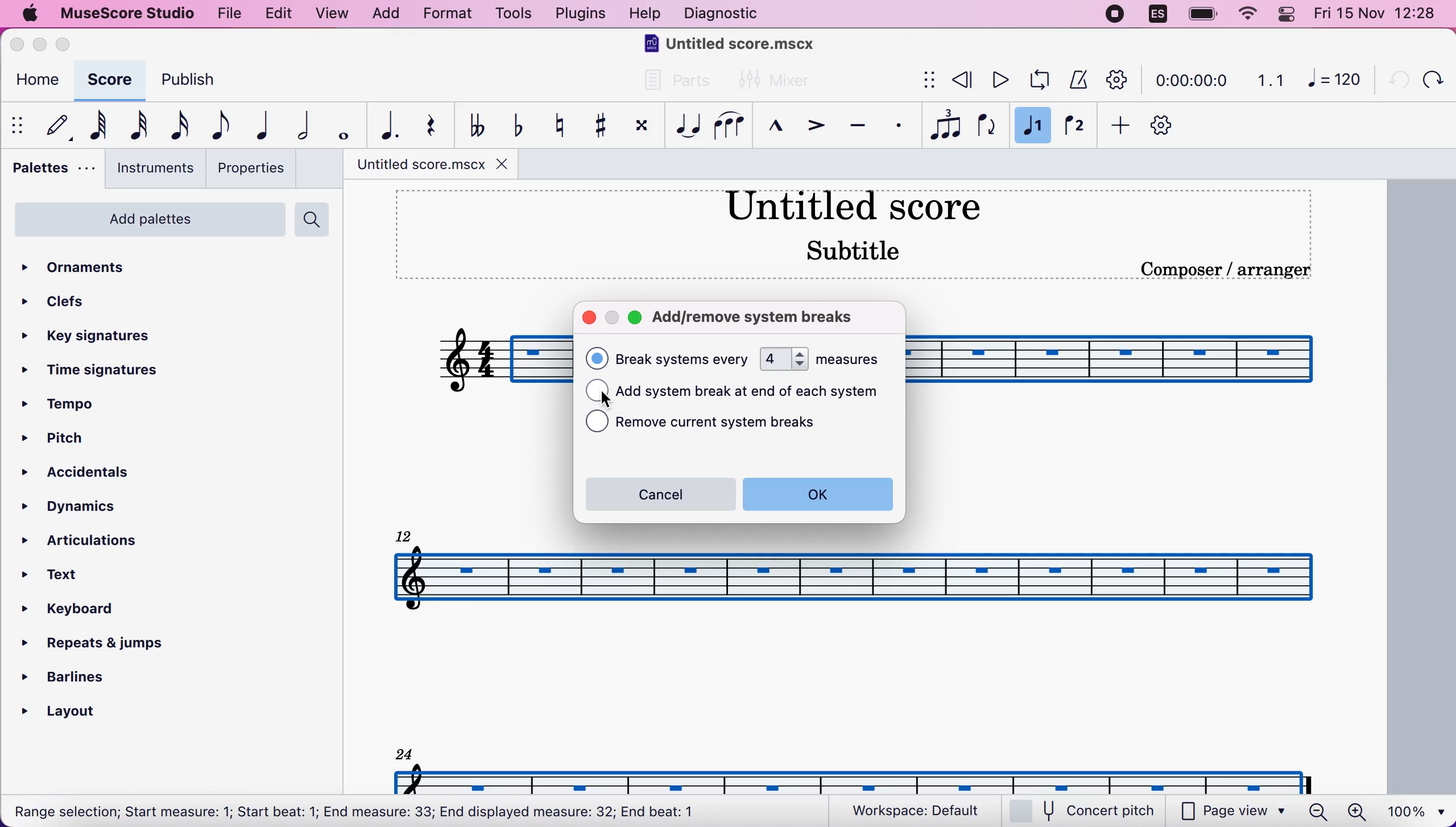 This screenshot has width=1456, height=827. Describe the element at coordinates (1033, 127) in the screenshot. I see `voice 1` at that location.